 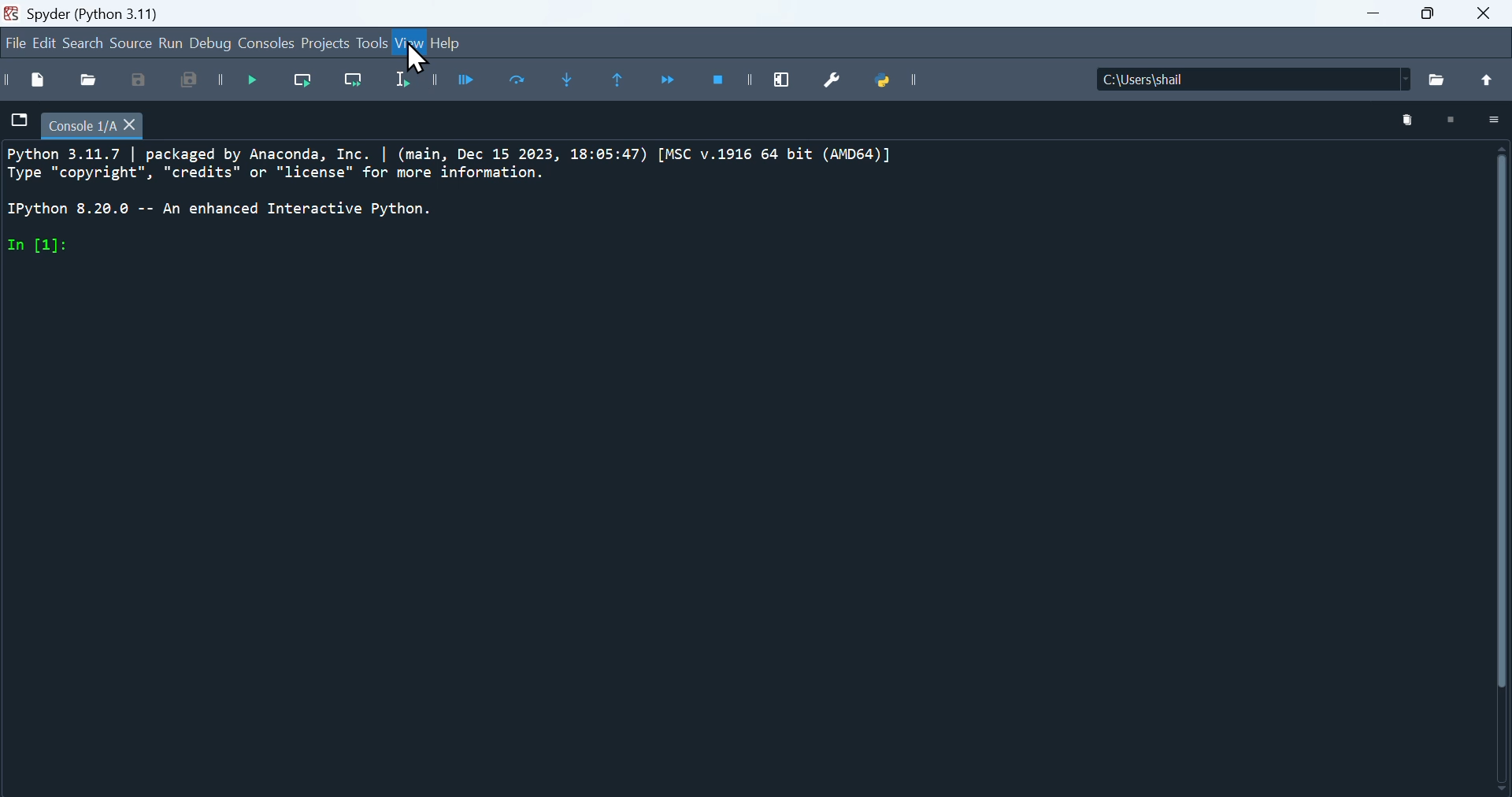 I want to click on Cursor, so click(x=424, y=54).